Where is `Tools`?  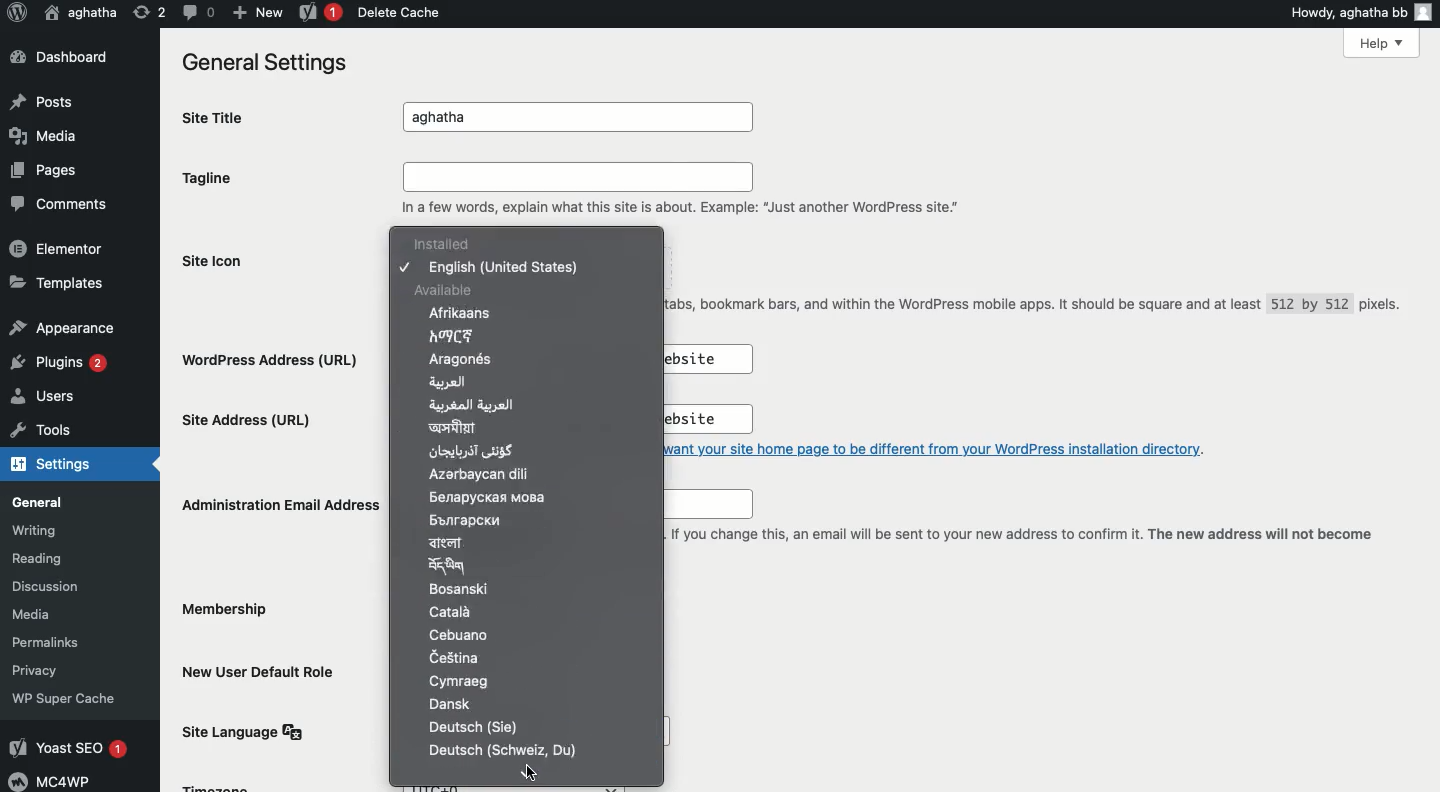 Tools is located at coordinates (37, 431).